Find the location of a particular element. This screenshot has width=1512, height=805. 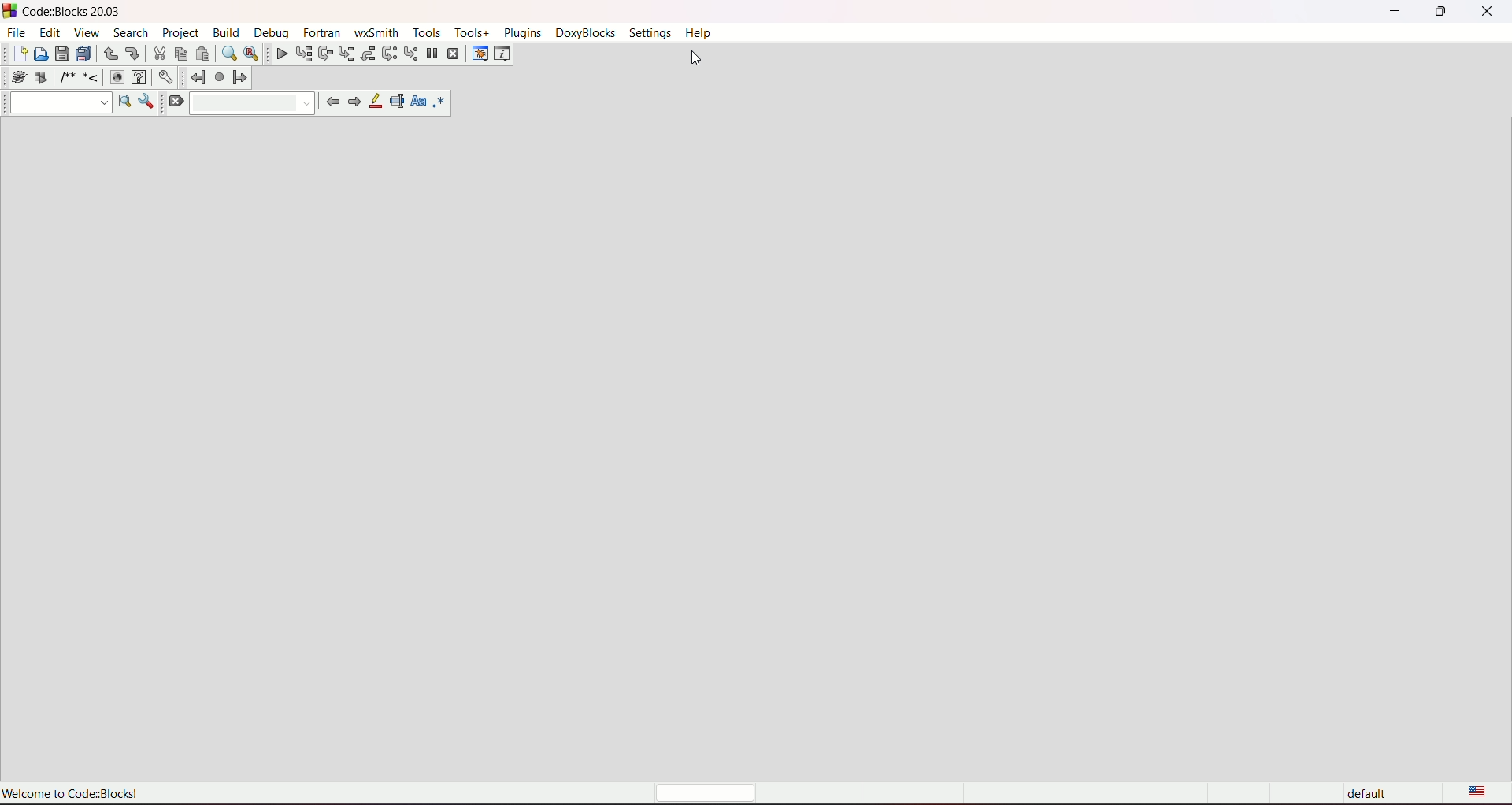

help is located at coordinates (697, 34).